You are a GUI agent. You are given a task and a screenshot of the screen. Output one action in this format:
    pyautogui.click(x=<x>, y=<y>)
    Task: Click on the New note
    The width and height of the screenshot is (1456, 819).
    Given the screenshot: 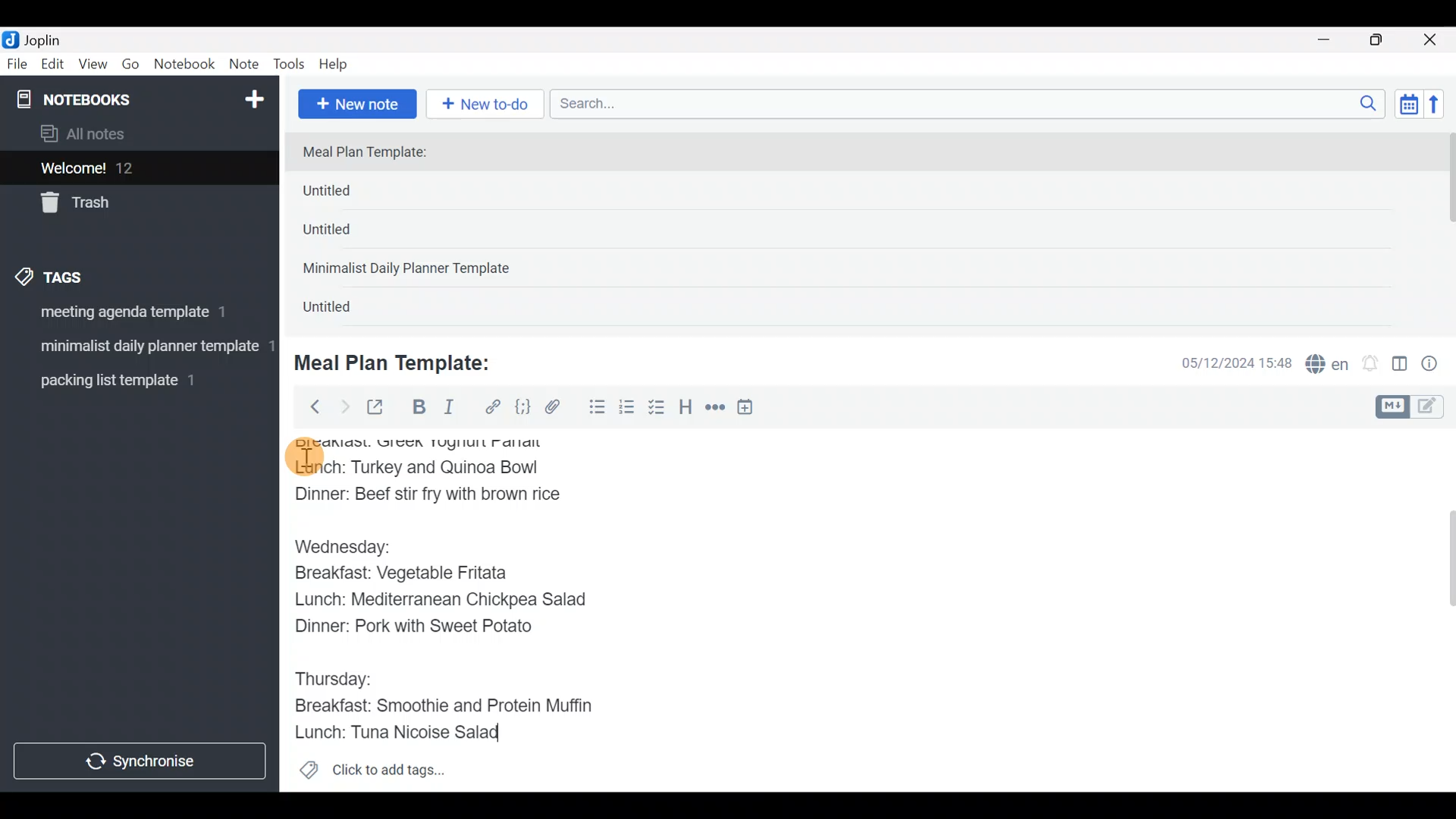 What is the action you would take?
    pyautogui.click(x=356, y=102)
    